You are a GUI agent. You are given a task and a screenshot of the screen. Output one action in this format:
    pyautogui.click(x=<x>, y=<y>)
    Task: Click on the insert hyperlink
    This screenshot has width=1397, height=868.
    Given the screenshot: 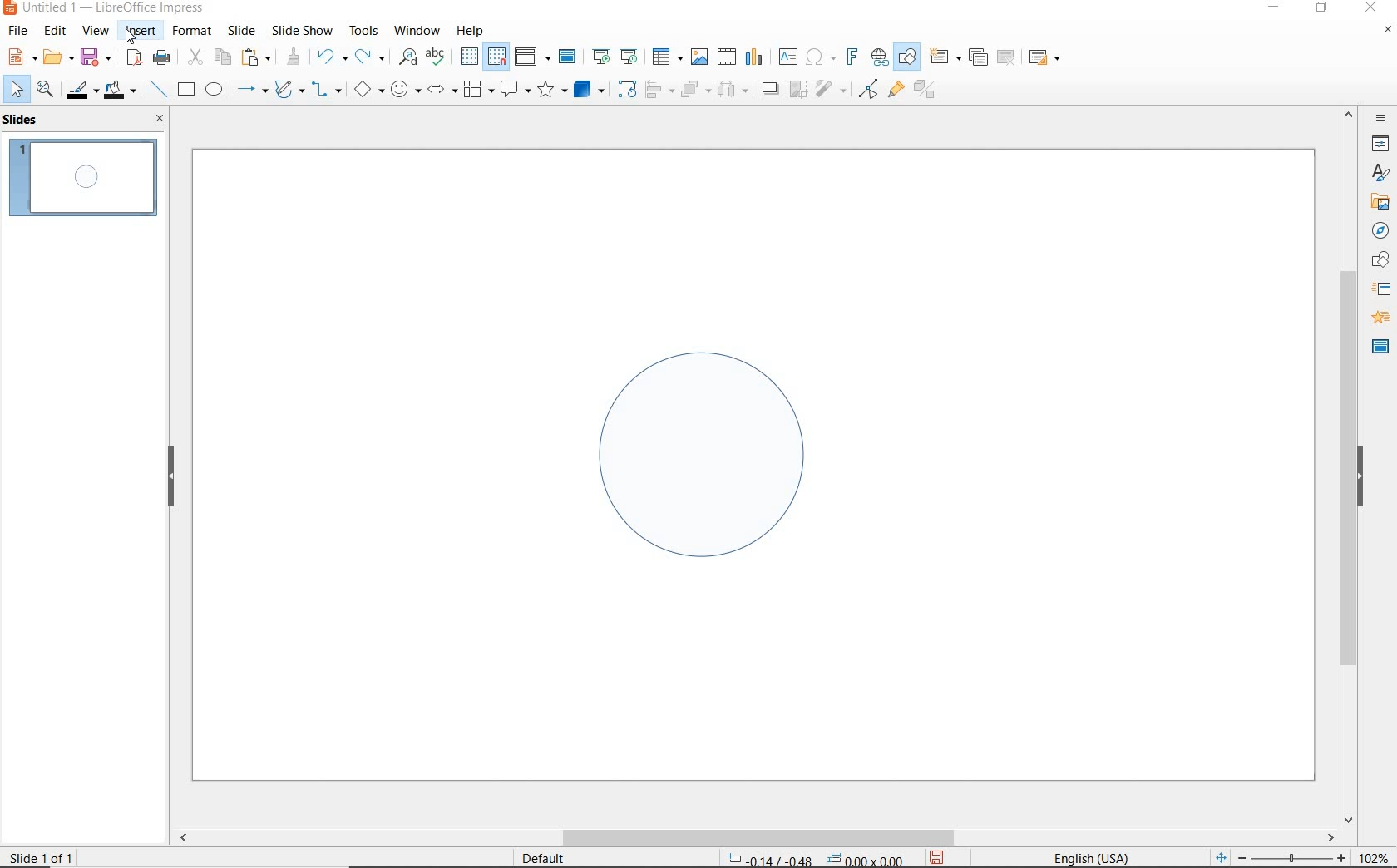 What is the action you would take?
    pyautogui.click(x=880, y=57)
    